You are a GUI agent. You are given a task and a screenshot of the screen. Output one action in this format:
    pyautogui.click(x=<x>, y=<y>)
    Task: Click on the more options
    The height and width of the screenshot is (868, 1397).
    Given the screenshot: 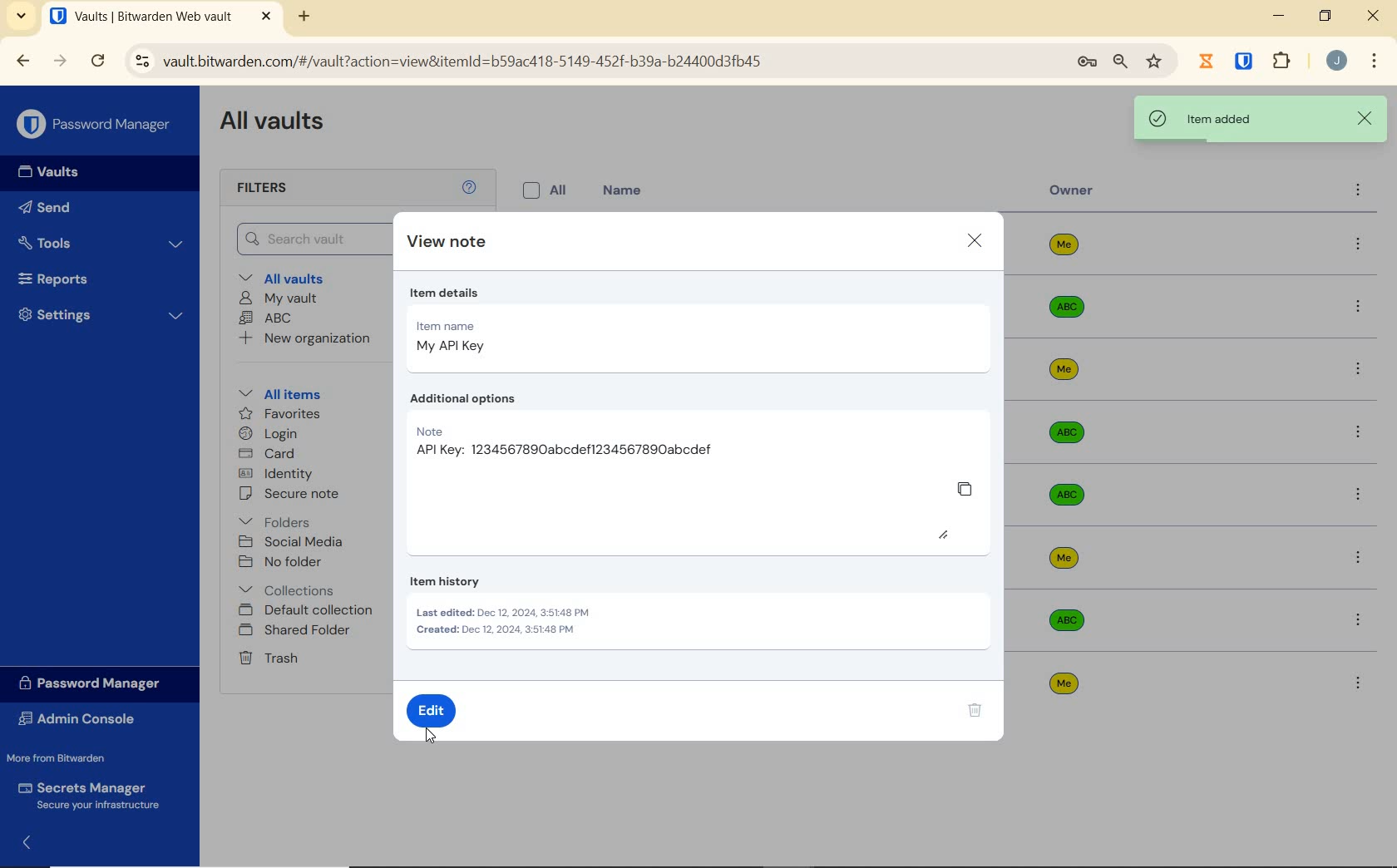 What is the action you would take?
    pyautogui.click(x=1360, y=556)
    